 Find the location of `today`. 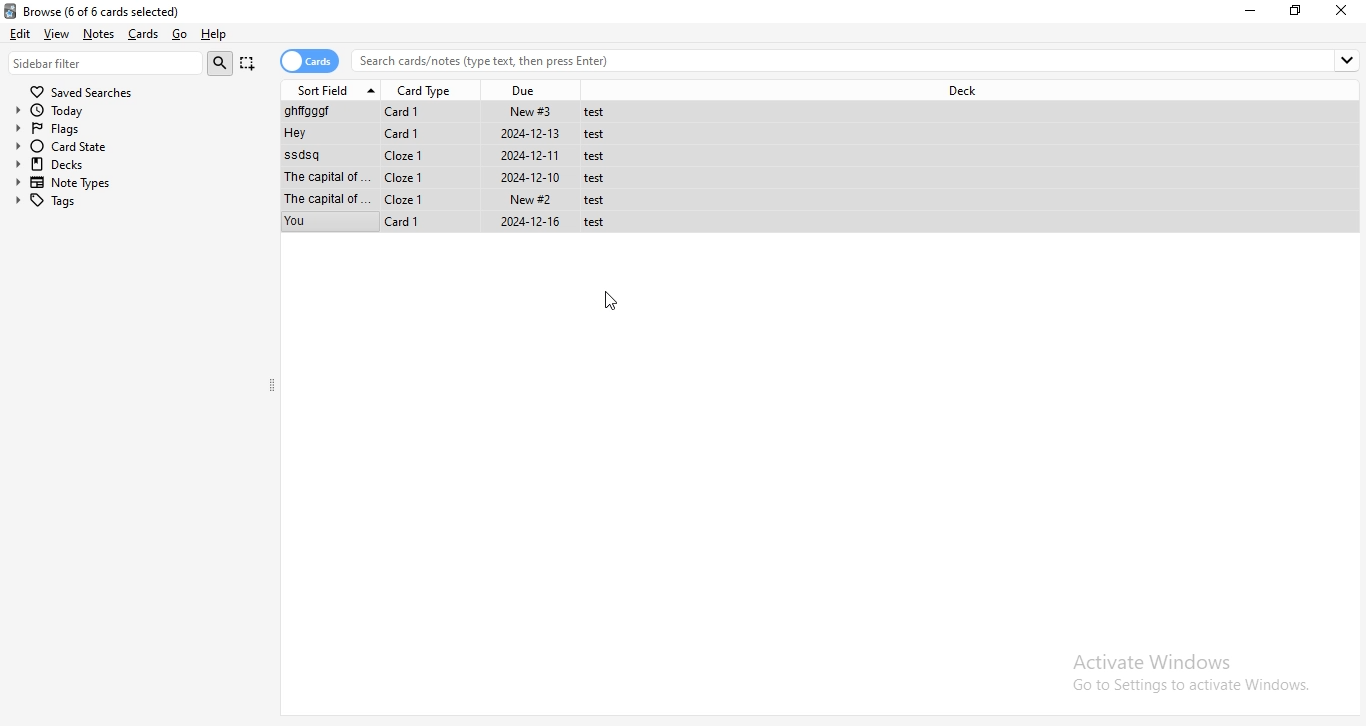

today is located at coordinates (131, 111).